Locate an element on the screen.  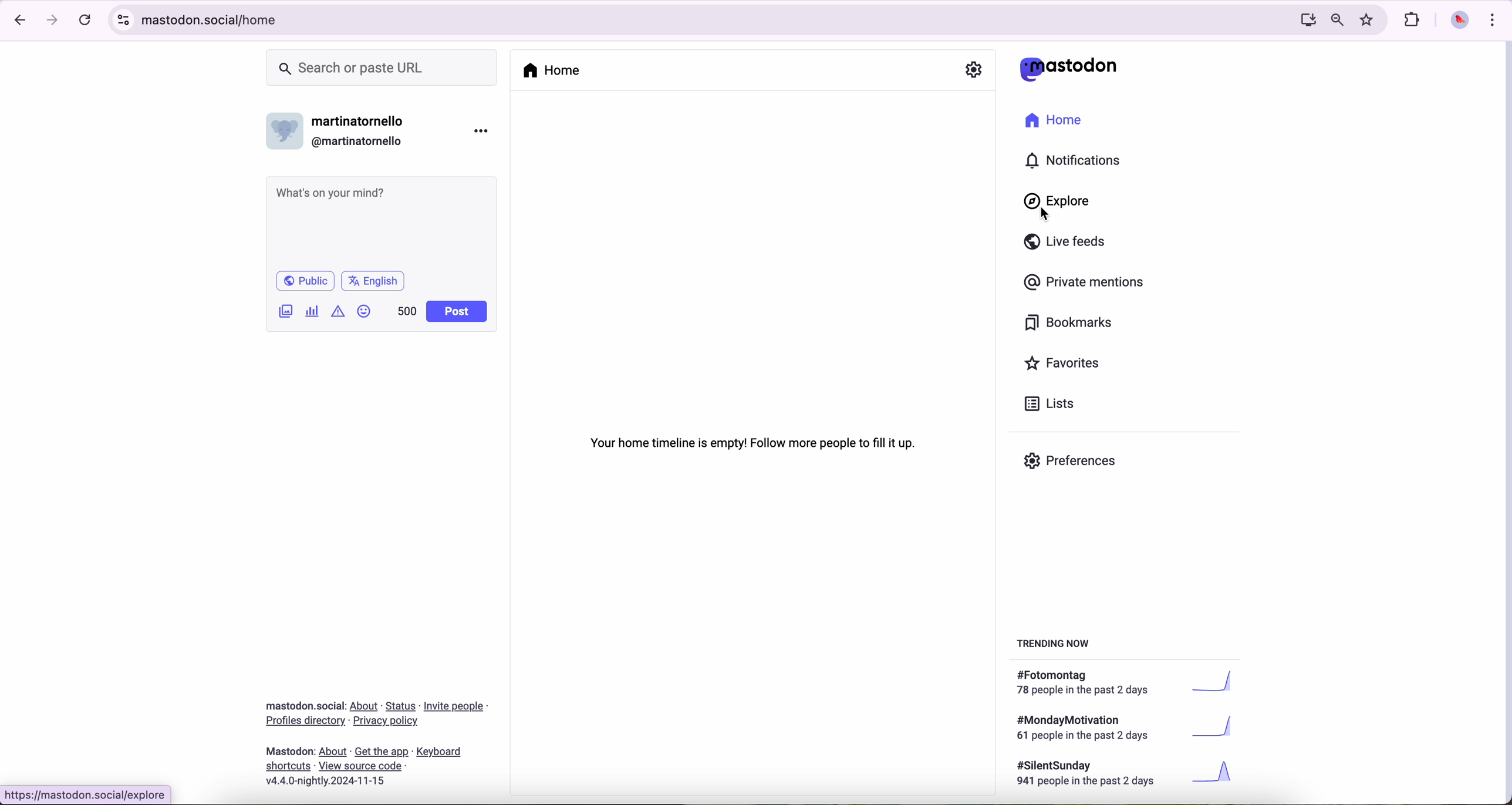
emoji is located at coordinates (365, 311).